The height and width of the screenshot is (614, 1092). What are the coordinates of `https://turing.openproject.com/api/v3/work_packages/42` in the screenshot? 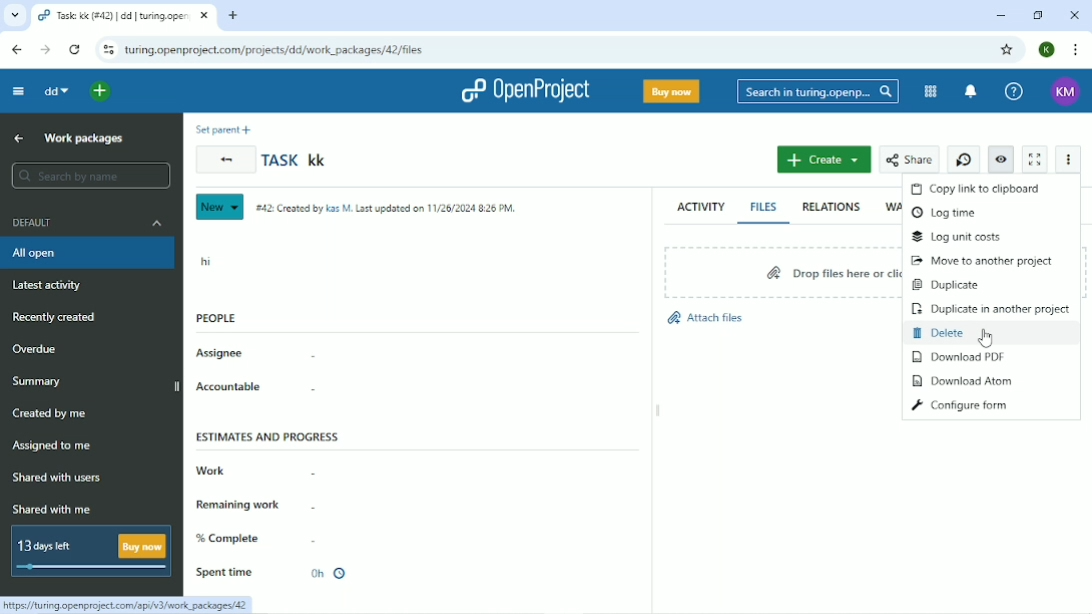 It's located at (128, 604).